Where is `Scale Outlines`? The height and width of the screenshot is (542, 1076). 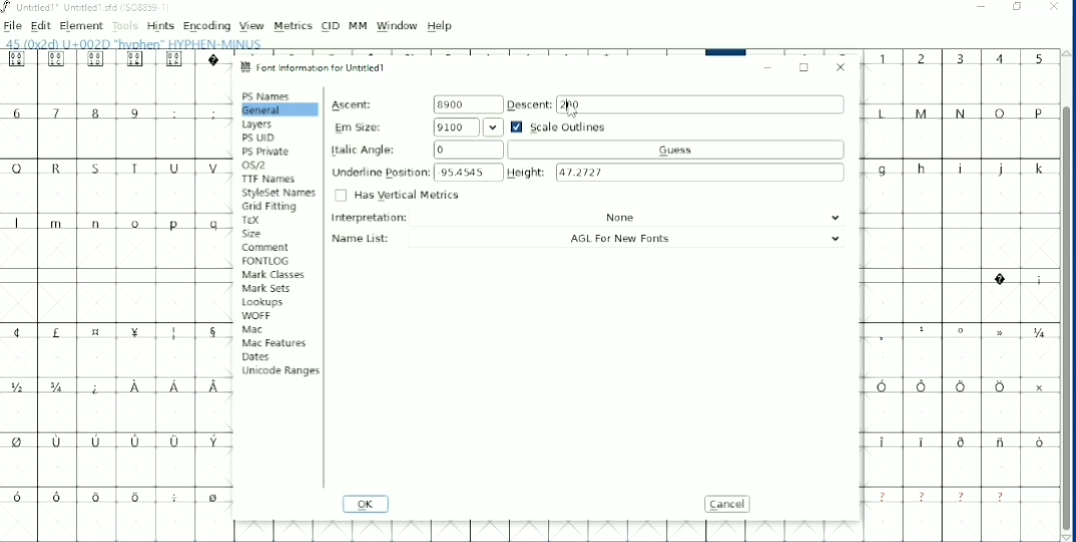 Scale Outlines is located at coordinates (559, 126).